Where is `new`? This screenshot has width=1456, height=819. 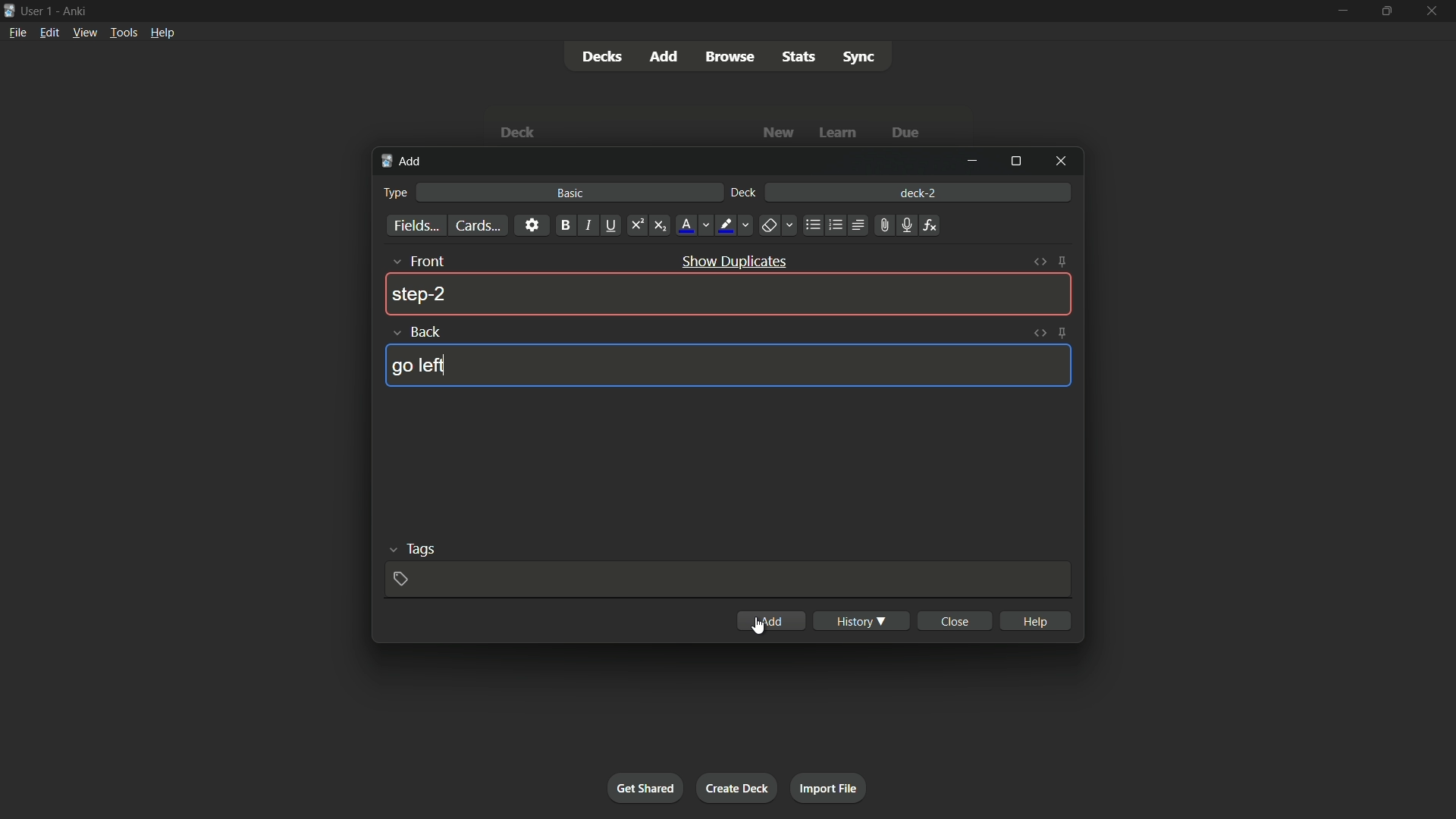 new is located at coordinates (779, 133).